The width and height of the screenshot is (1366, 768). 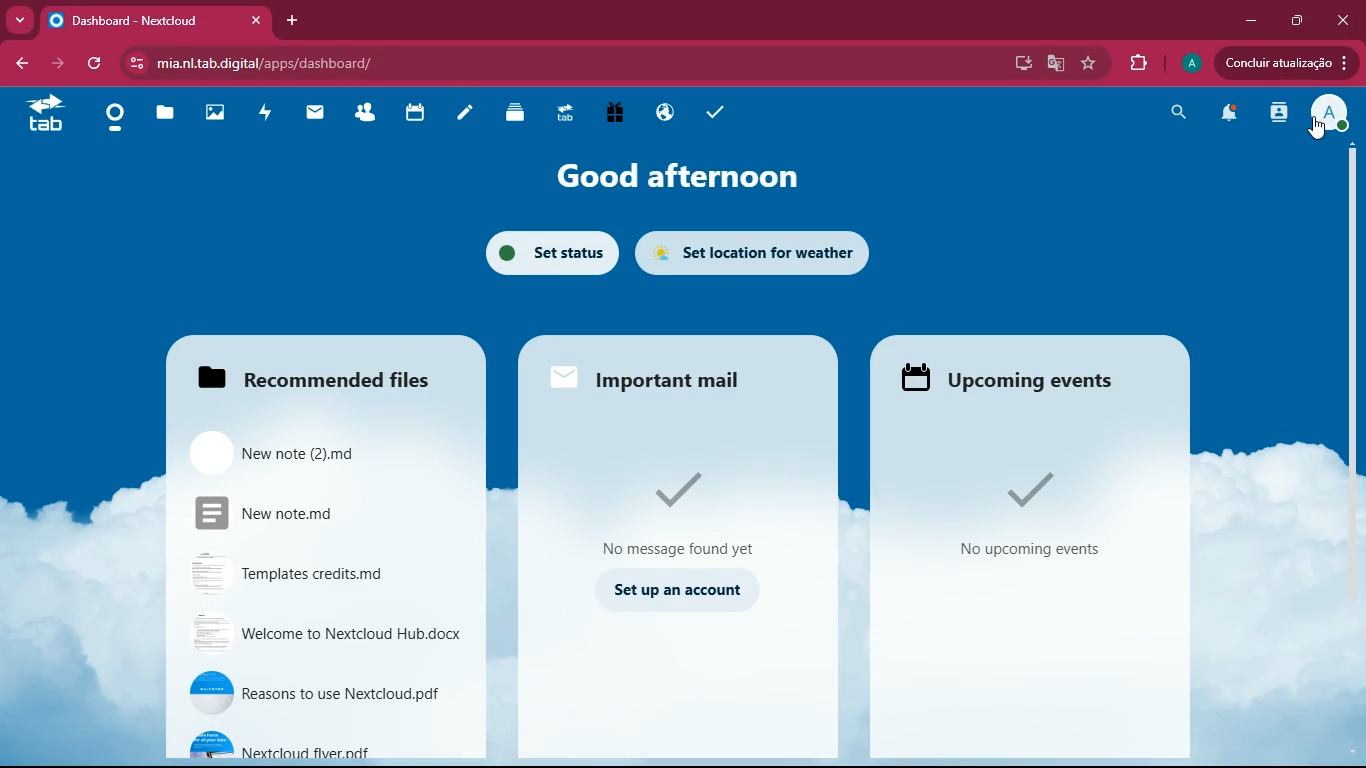 What do you see at coordinates (1317, 131) in the screenshot?
I see `Cursor` at bounding box center [1317, 131].